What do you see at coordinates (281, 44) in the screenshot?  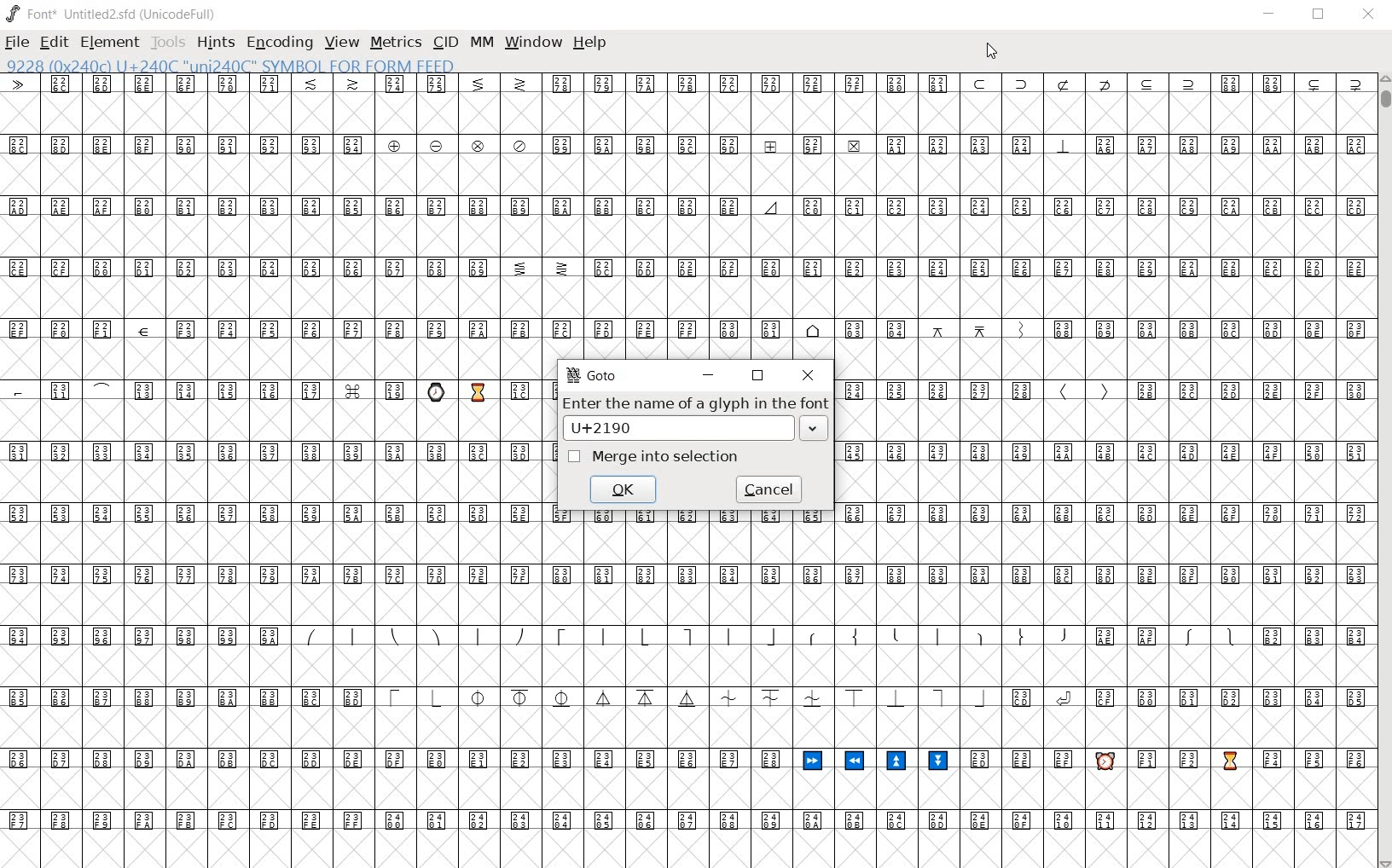 I see `encoding` at bounding box center [281, 44].